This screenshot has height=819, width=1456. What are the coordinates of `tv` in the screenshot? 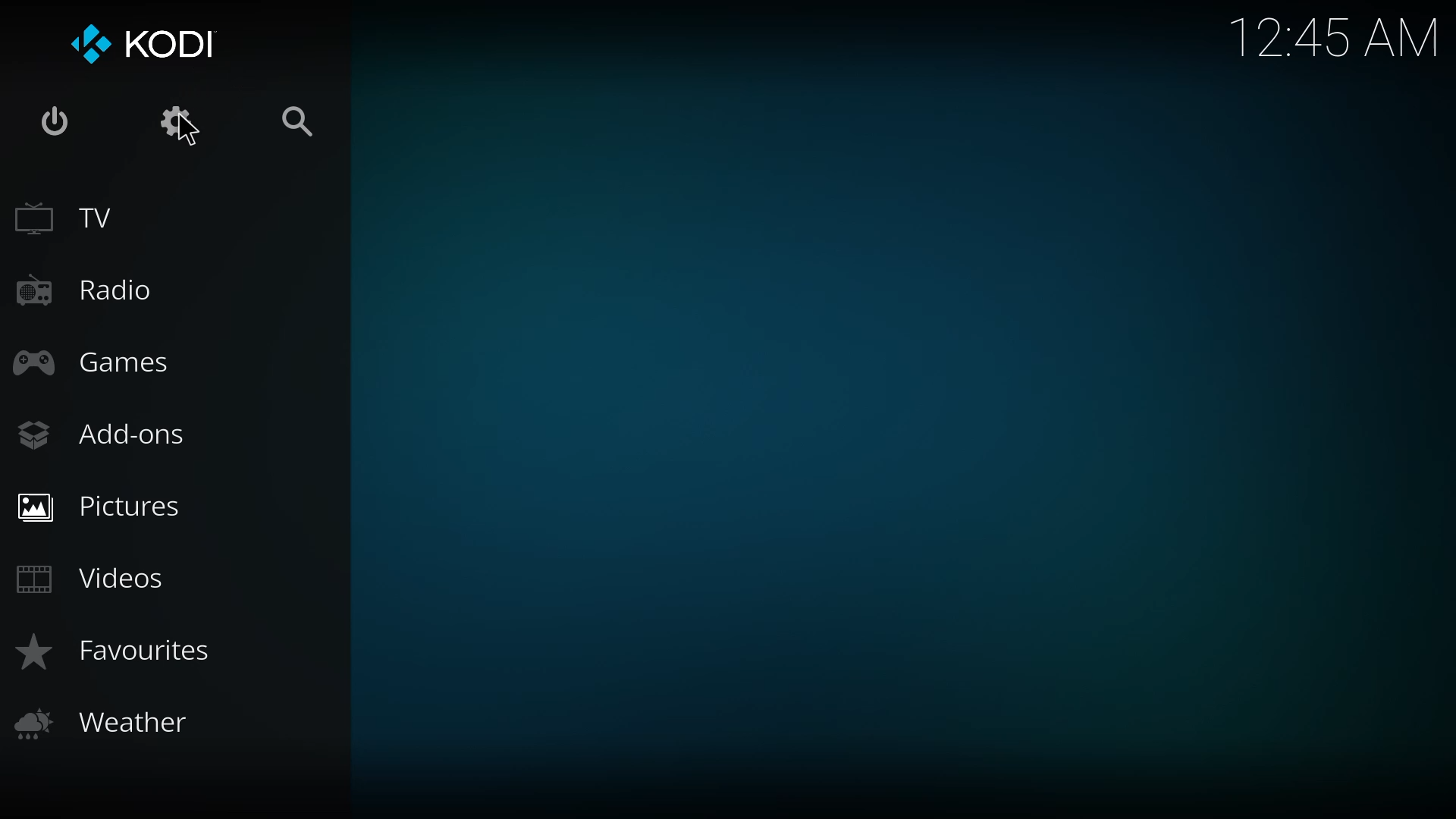 It's located at (76, 218).